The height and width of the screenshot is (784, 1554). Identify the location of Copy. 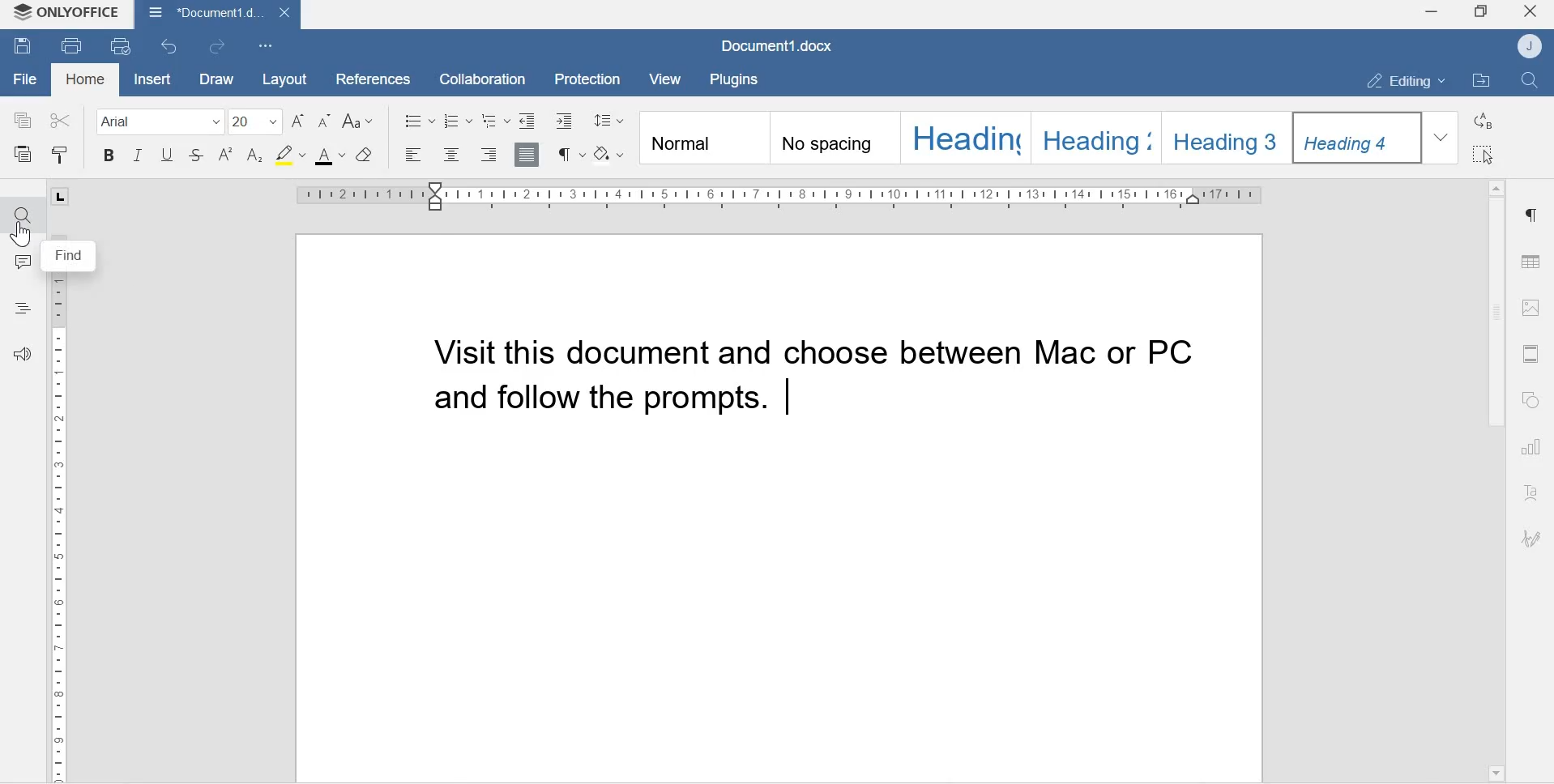
(23, 119).